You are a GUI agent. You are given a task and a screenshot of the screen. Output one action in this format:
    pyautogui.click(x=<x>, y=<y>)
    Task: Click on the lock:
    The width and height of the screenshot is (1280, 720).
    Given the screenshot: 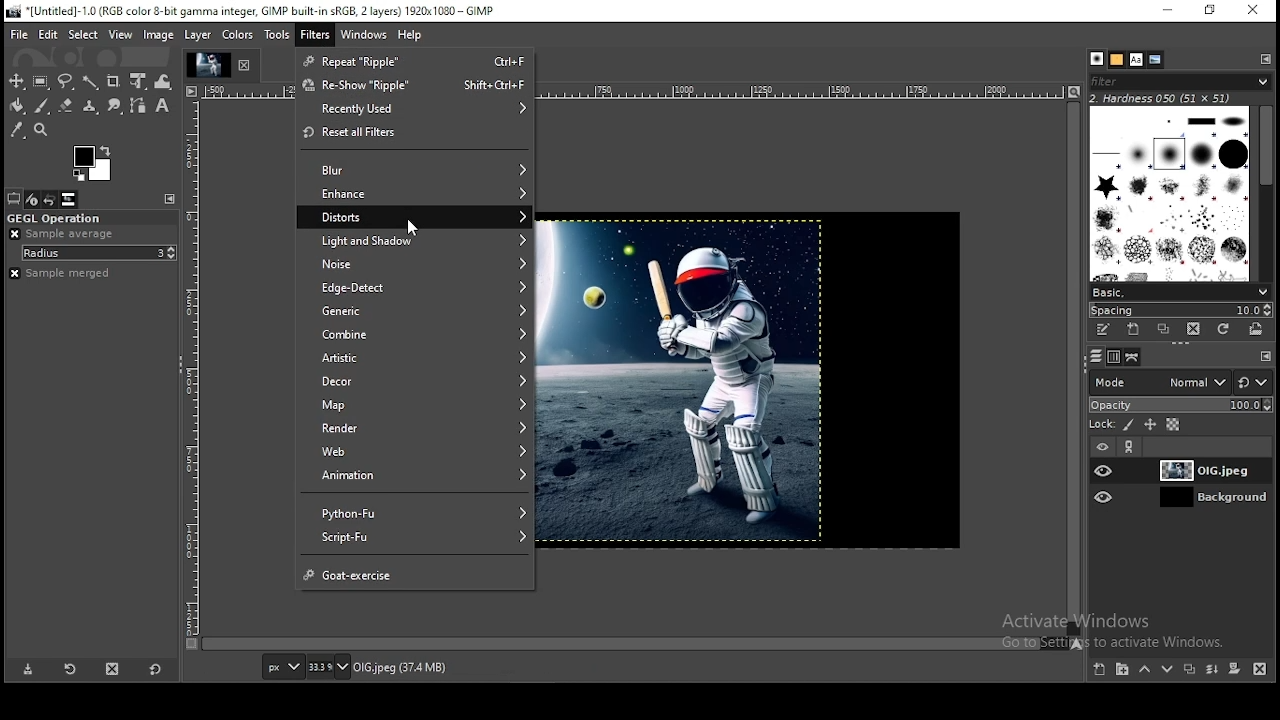 What is the action you would take?
    pyautogui.click(x=1100, y=424)
    